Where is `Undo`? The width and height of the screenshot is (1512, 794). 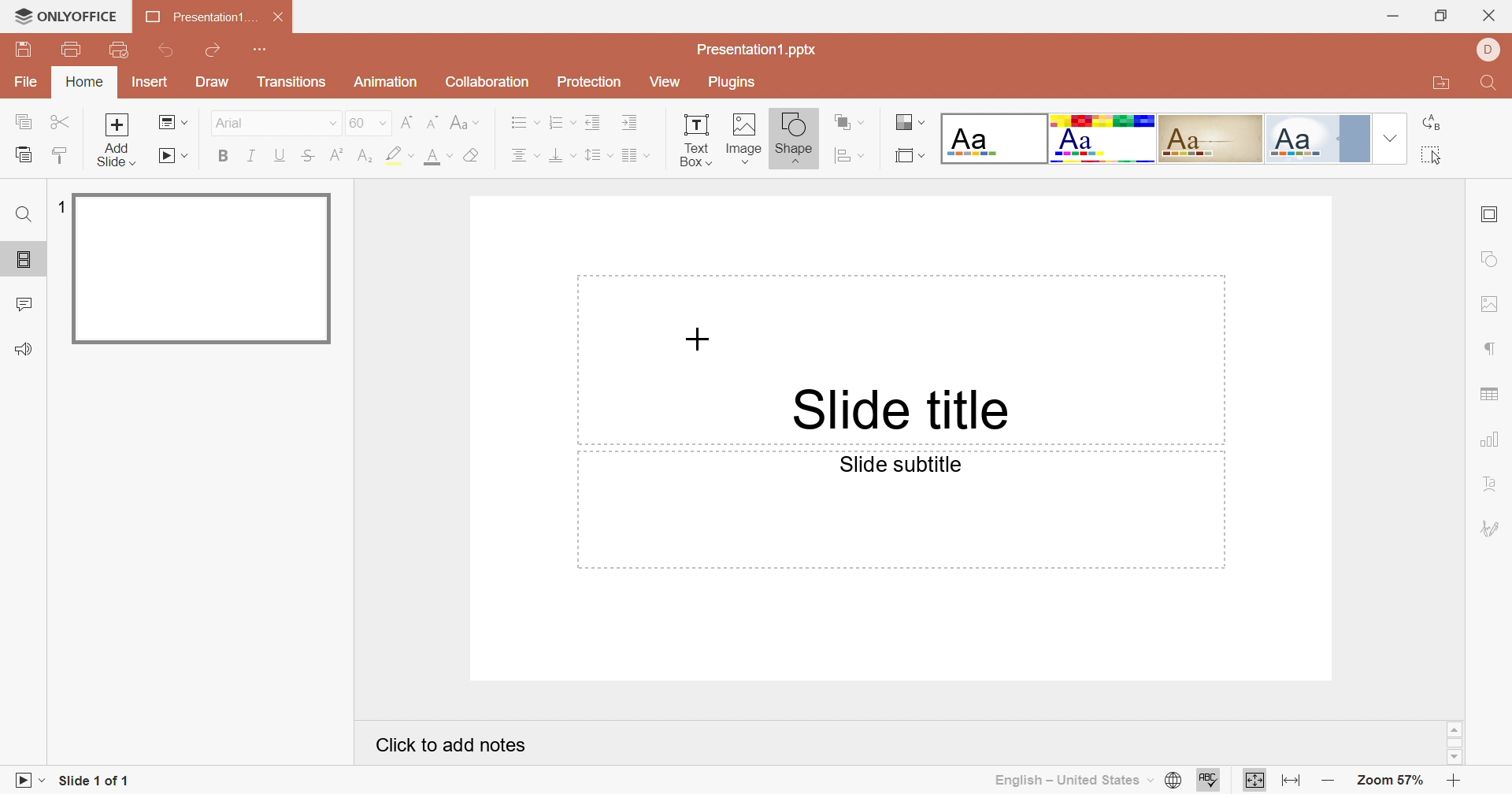 Undo is located at coordinates (169, 52).